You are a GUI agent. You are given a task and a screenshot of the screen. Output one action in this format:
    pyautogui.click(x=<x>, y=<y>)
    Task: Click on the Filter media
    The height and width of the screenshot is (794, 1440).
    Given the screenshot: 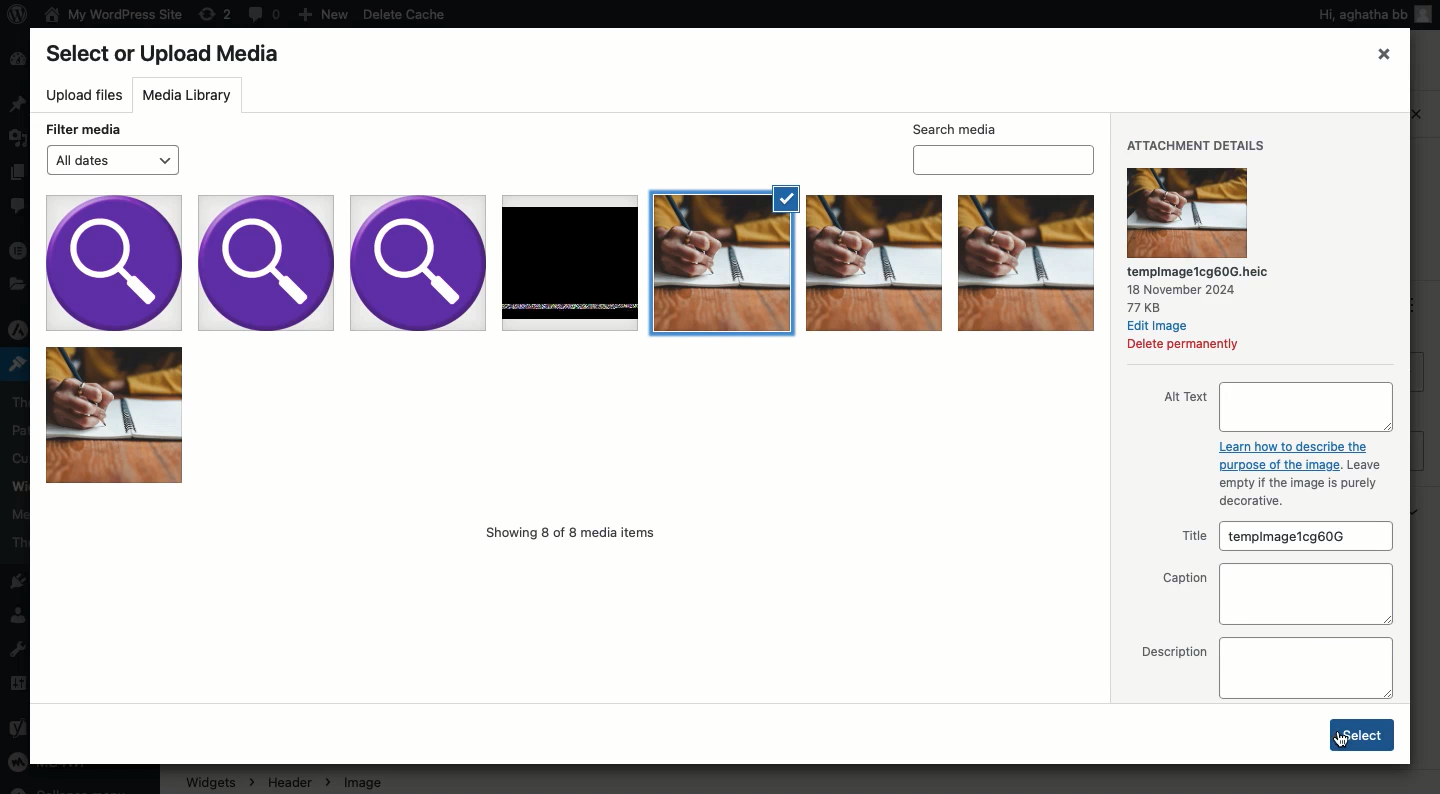 What is the action you would take?
    pyautogui.click(x=85, y=129)
    